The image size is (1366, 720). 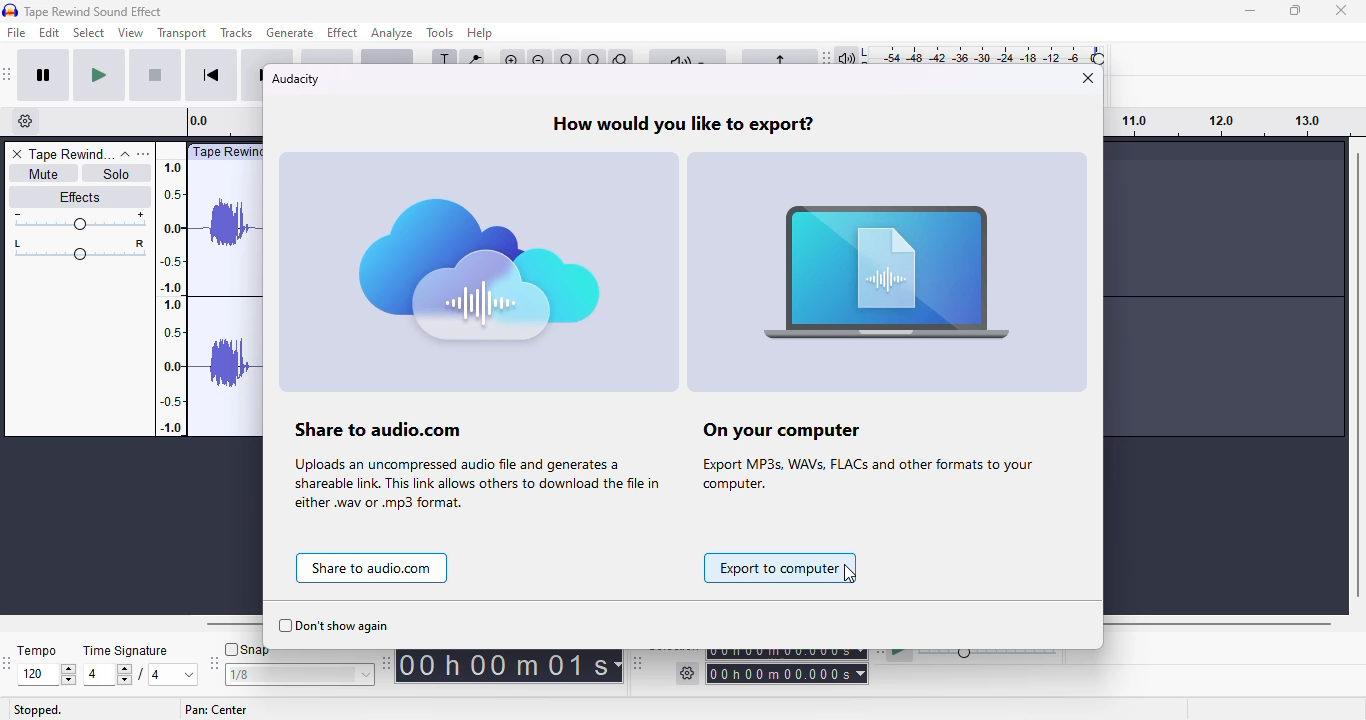 What do you see at coordinates (293, 665) in the screenshot?
I see `audacity snapping toolbar` at bounding box center [293, 665].